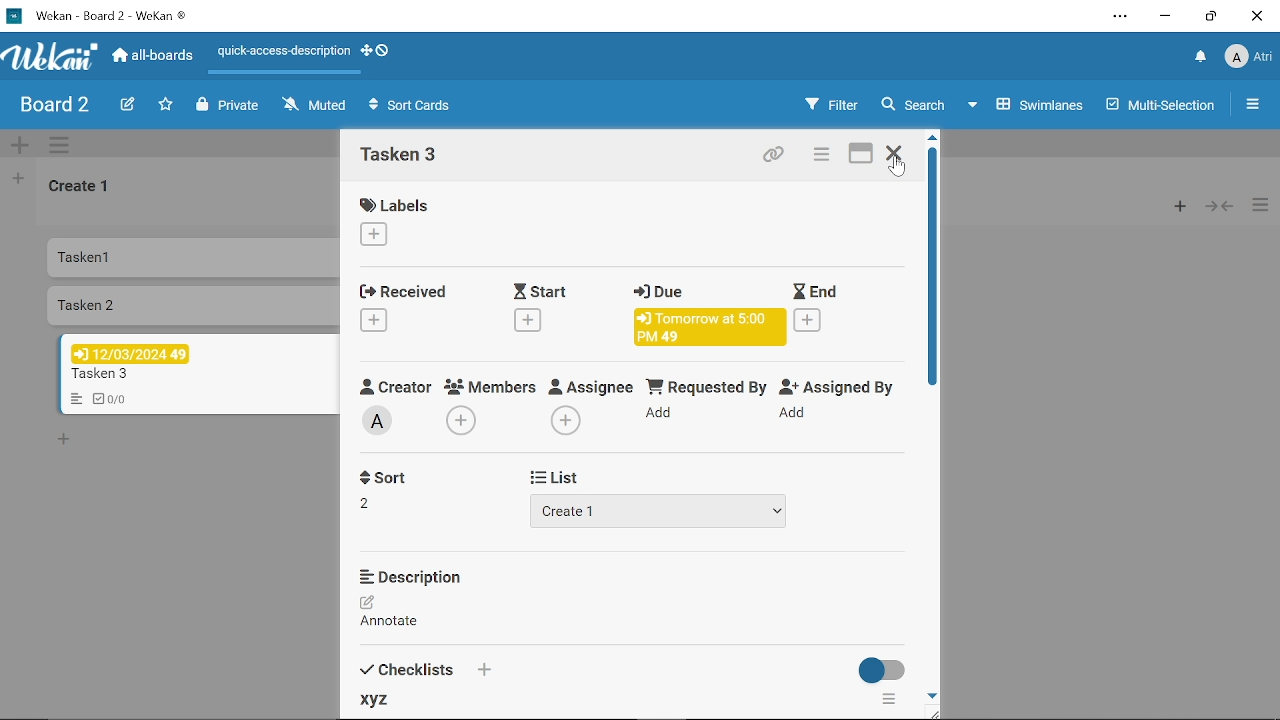  Describe the element at coordinates (100, 15) in the screenshot. I see `Wekan - Board 2 -WeKan` at that location.